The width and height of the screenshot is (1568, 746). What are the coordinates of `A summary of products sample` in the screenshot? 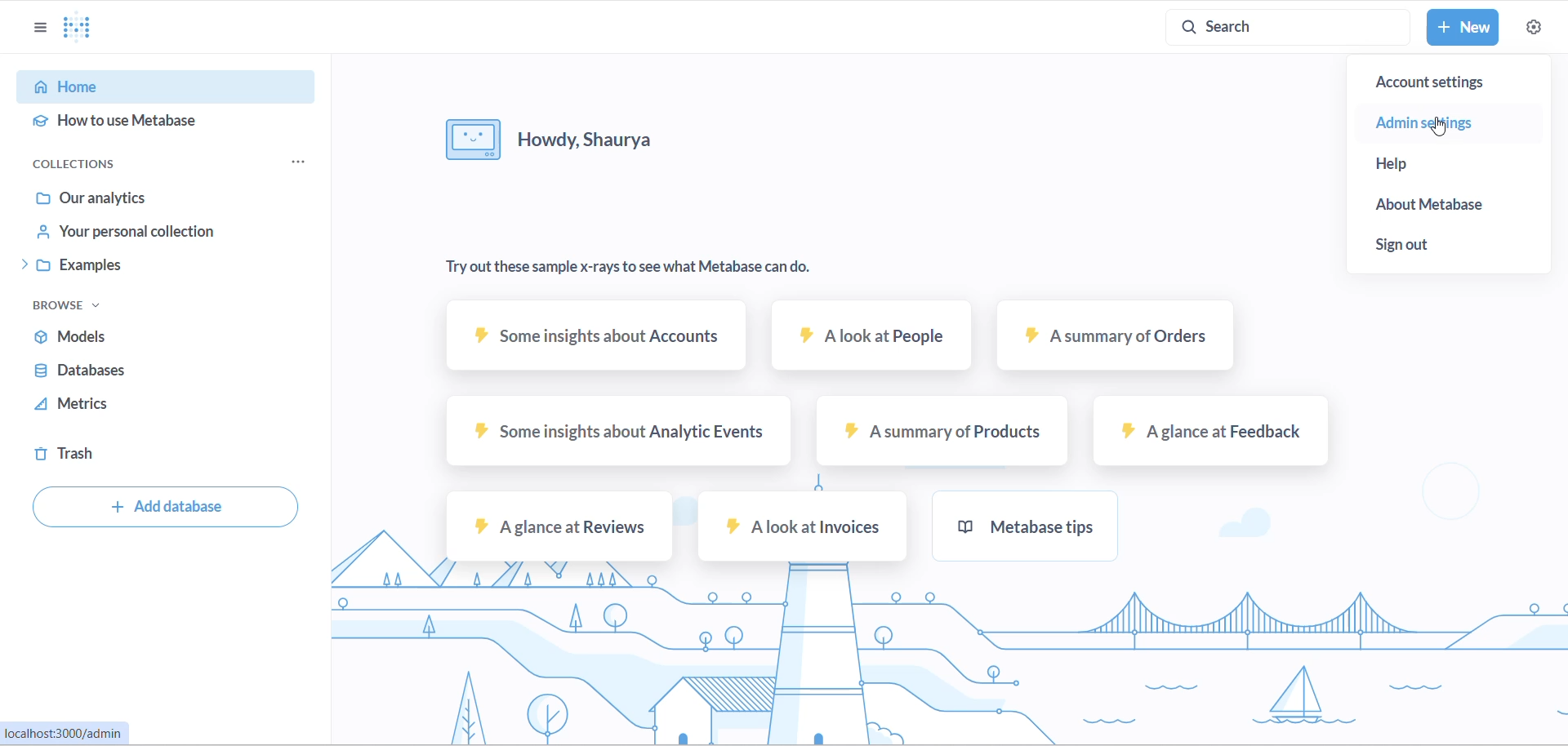 It's located at (937, 429).